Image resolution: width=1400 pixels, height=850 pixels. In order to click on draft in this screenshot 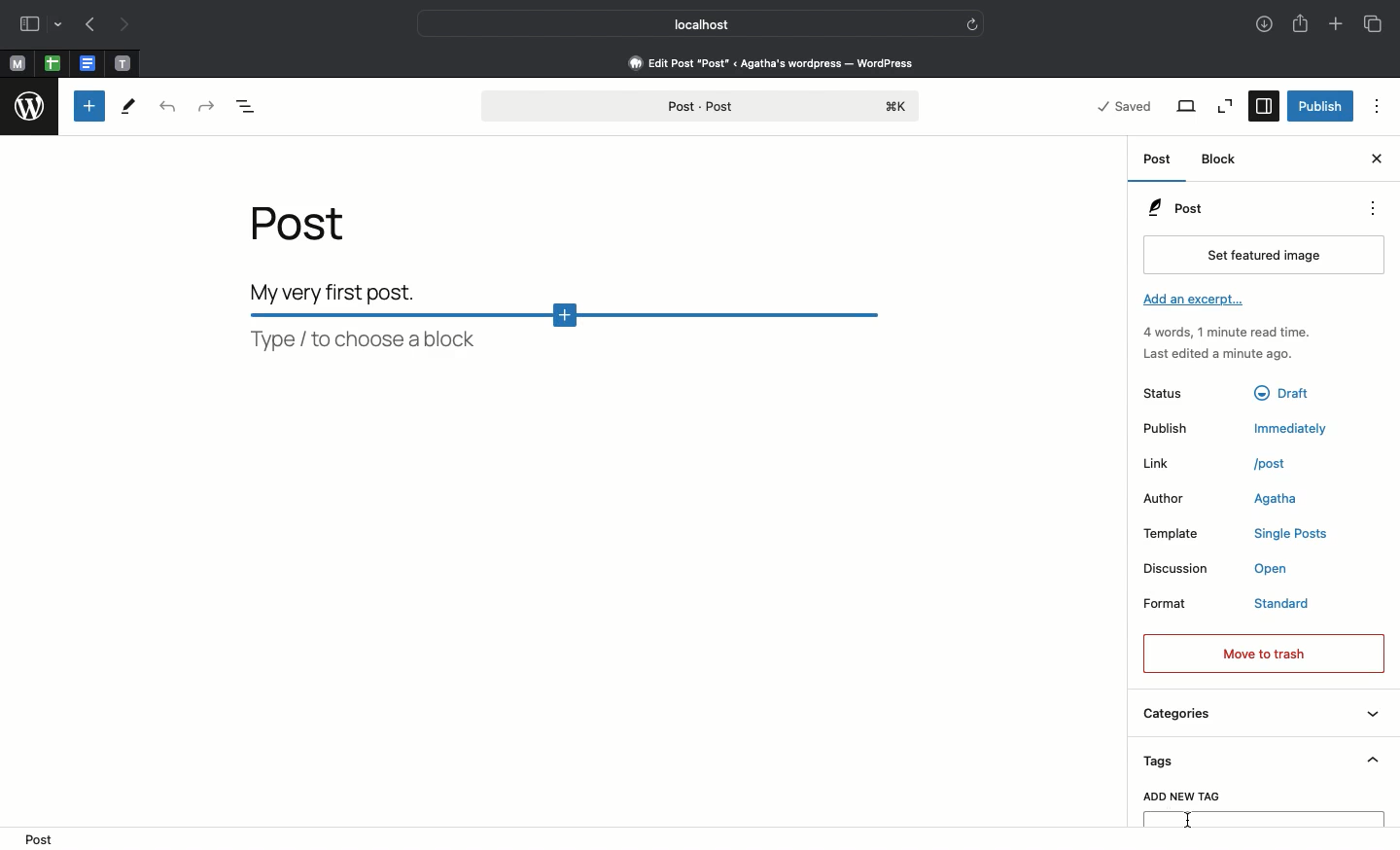, I will do `click(1281, 394)`.